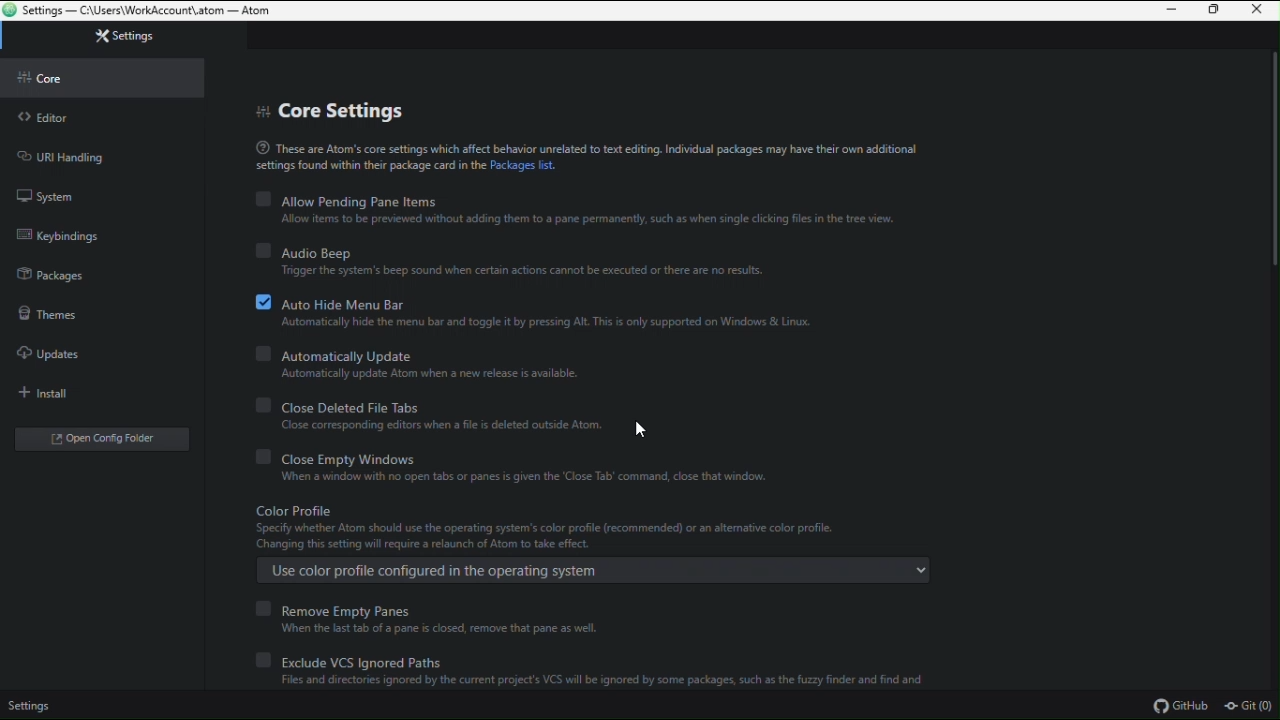  I want to click on themes, so click(94, 310).